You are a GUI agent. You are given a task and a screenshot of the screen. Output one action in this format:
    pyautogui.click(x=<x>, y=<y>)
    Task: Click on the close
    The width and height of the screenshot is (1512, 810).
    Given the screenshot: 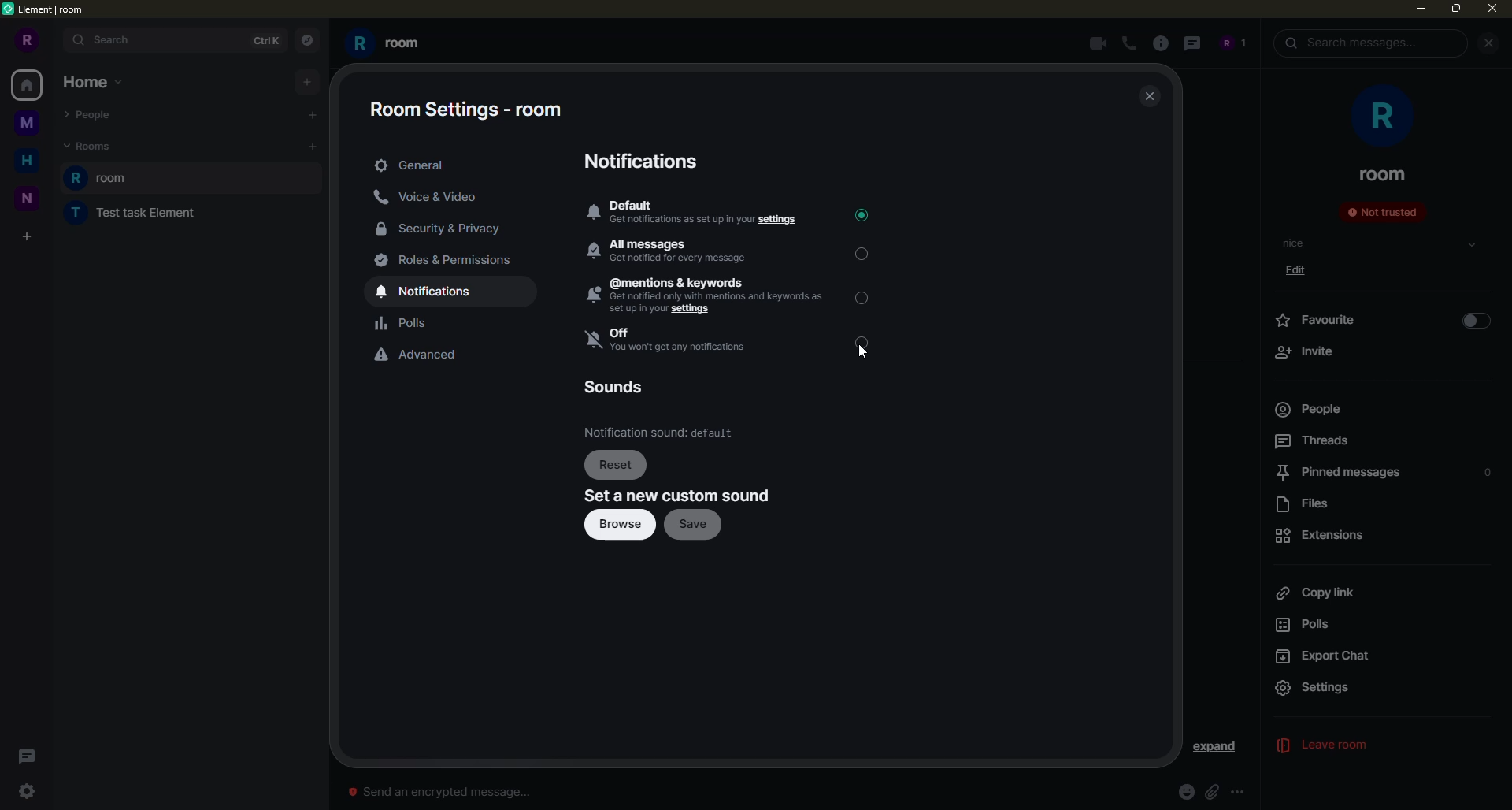 What is the action you would take?
    pyautogui.click(x=1491, y=10)
    